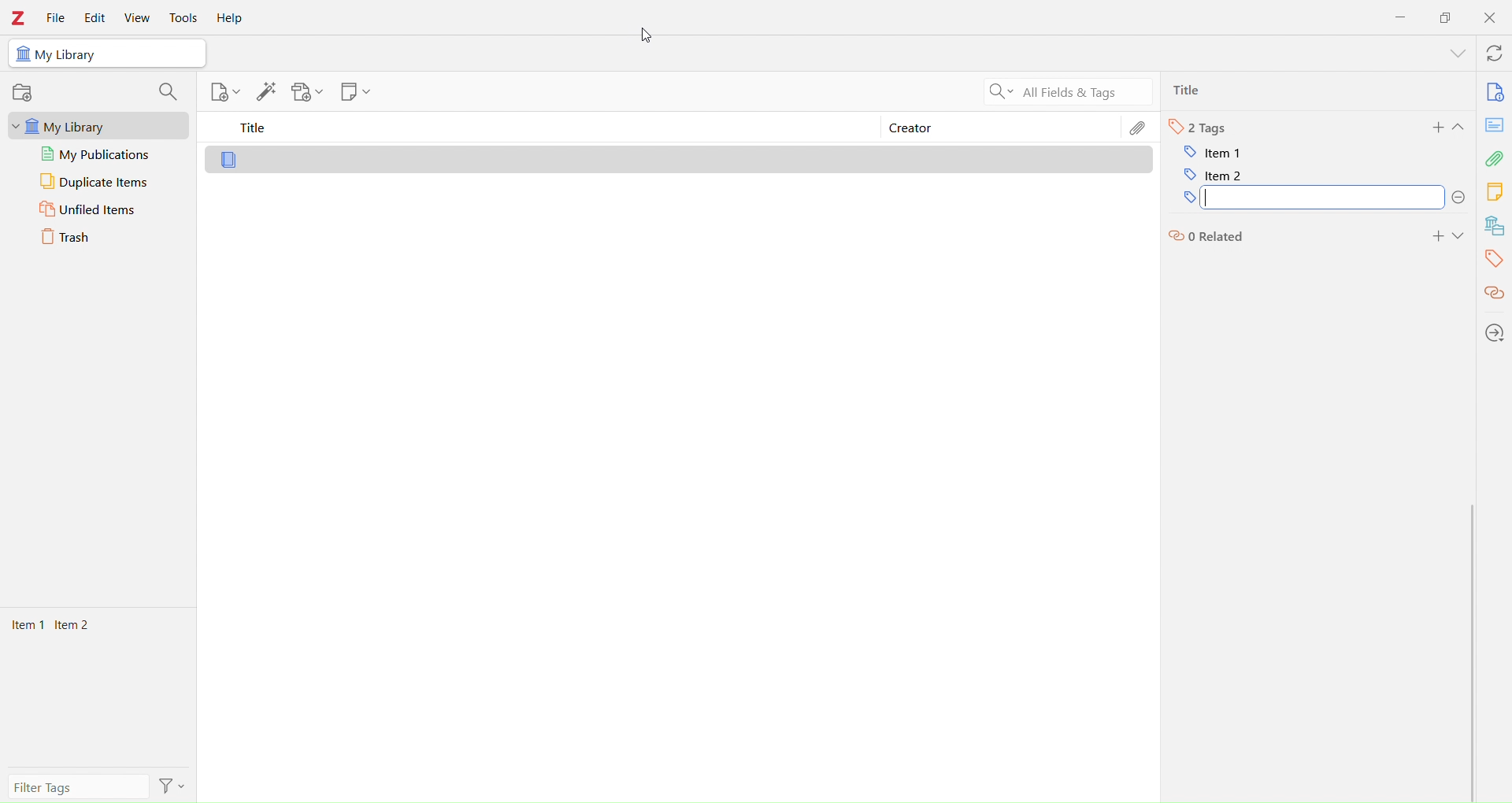 The width and height of the screenshot is (1512, 803). Describe the element at coordinates (639, 35) in the screenshot. I see `cursor` at that location.